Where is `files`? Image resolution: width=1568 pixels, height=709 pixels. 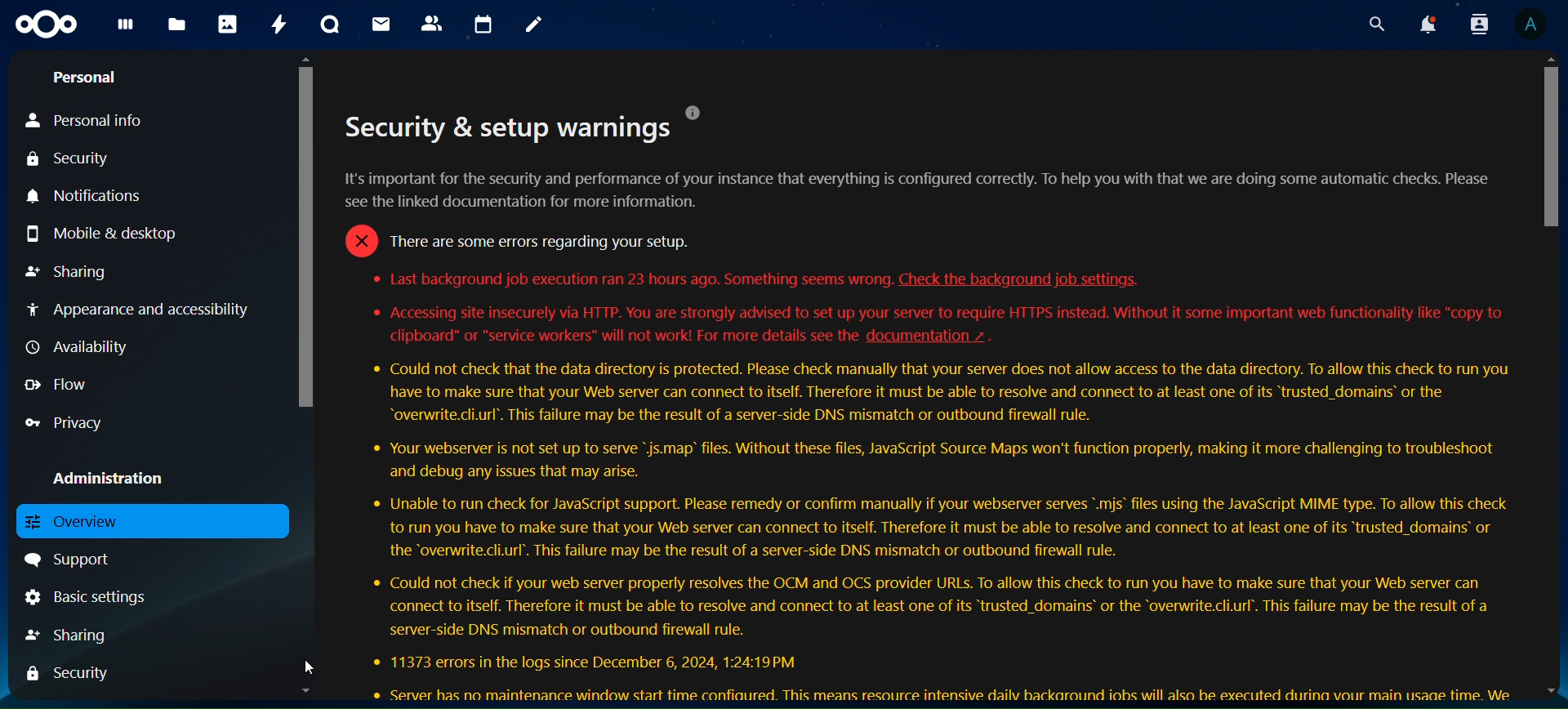 files is located at coordinates (178, 25).